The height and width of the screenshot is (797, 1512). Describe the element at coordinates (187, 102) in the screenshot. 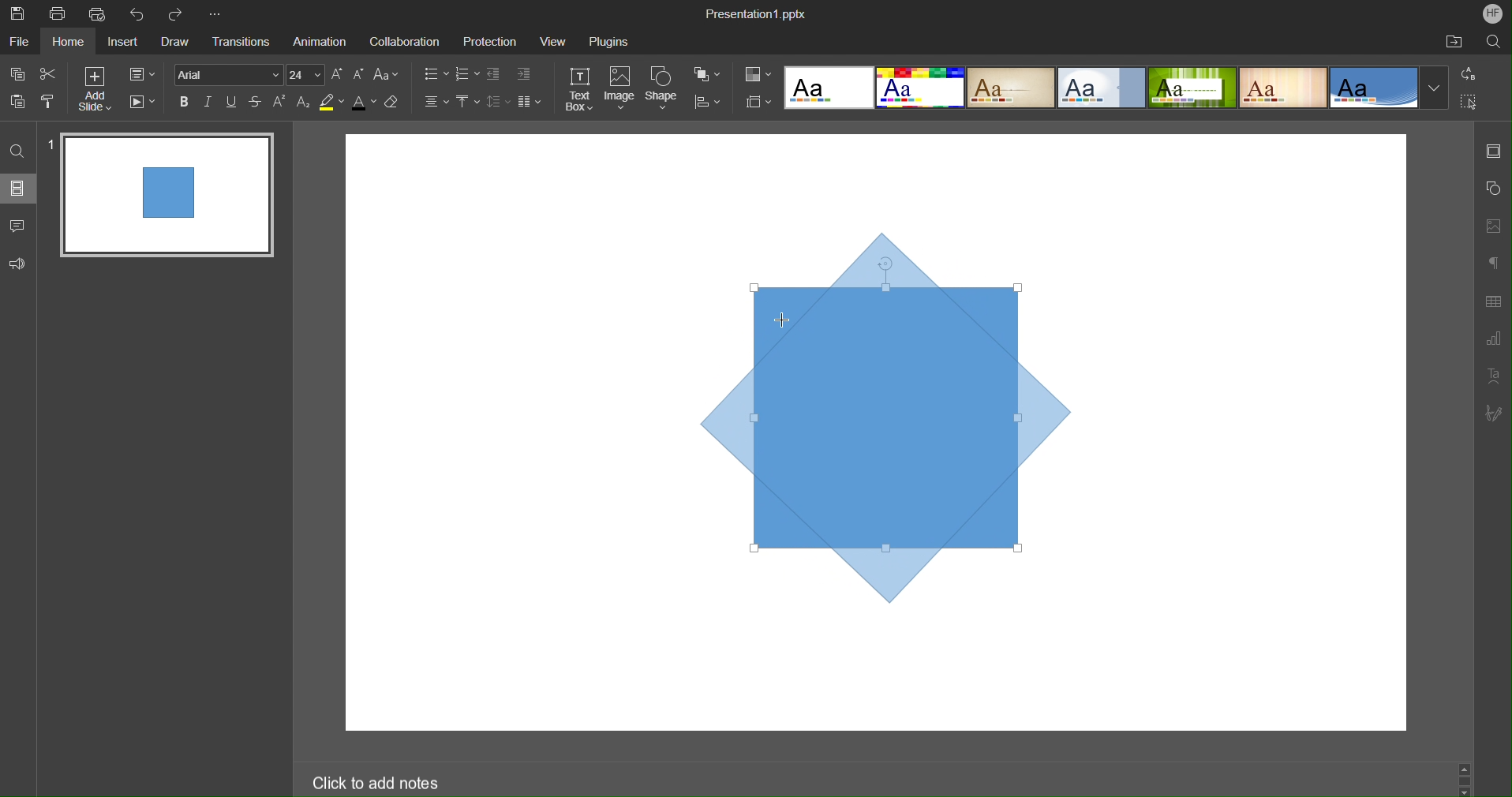

I see `Bold` at that location.